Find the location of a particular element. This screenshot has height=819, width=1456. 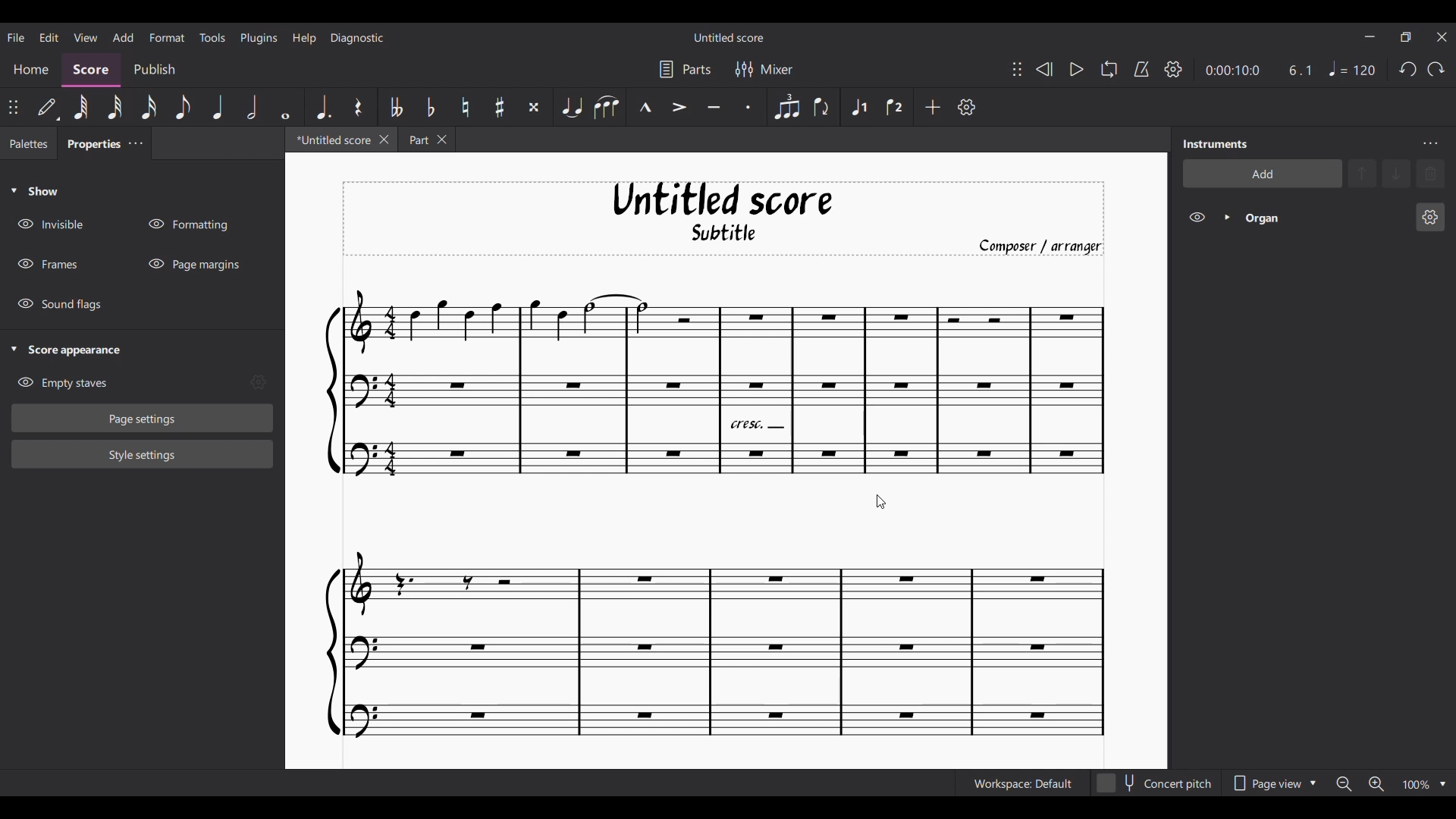

Close interface is located at coordinates (1442, 37).